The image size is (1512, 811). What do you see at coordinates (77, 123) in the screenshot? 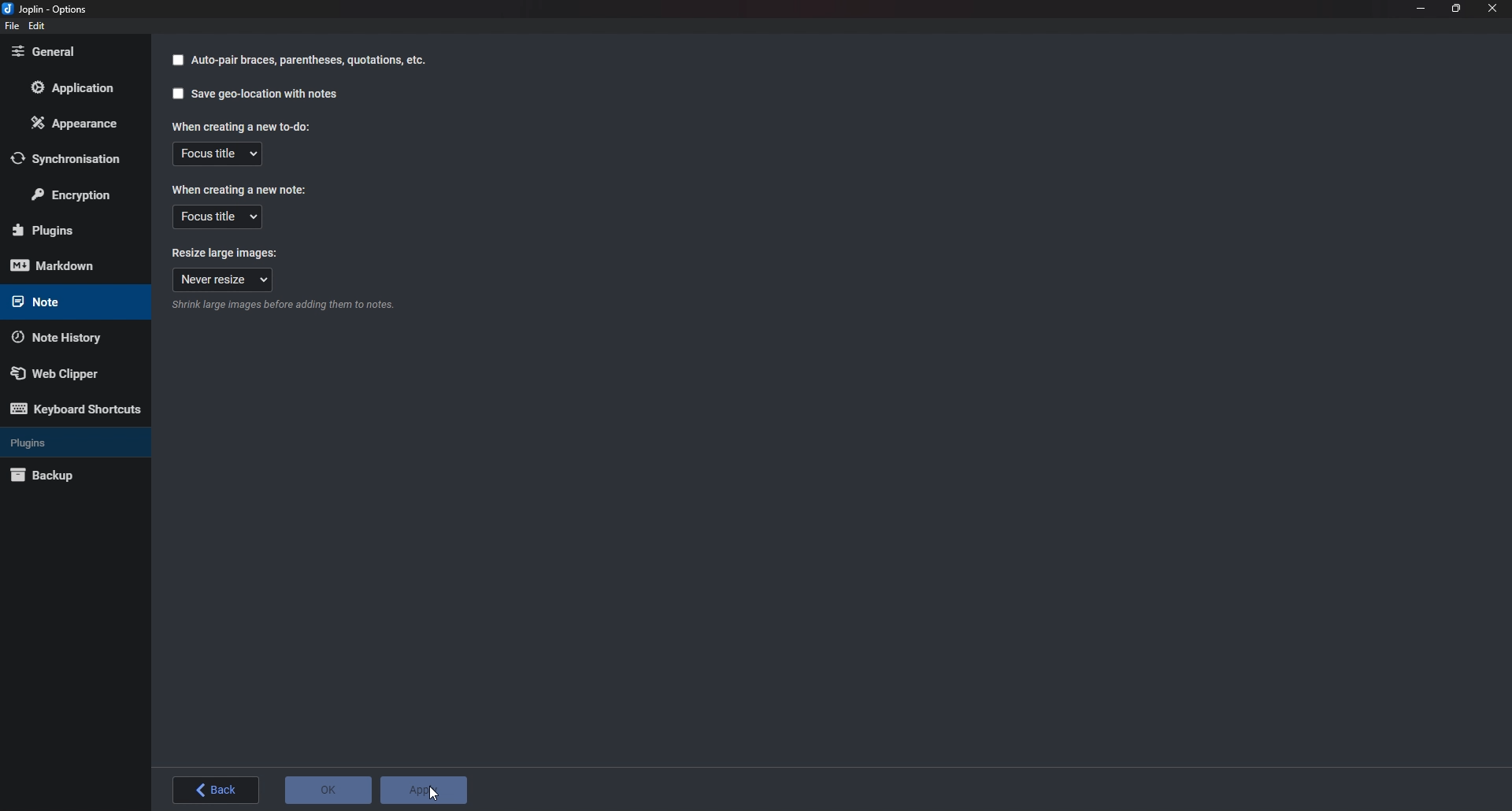
I see `Appearance` at bounding box center [77, 123].